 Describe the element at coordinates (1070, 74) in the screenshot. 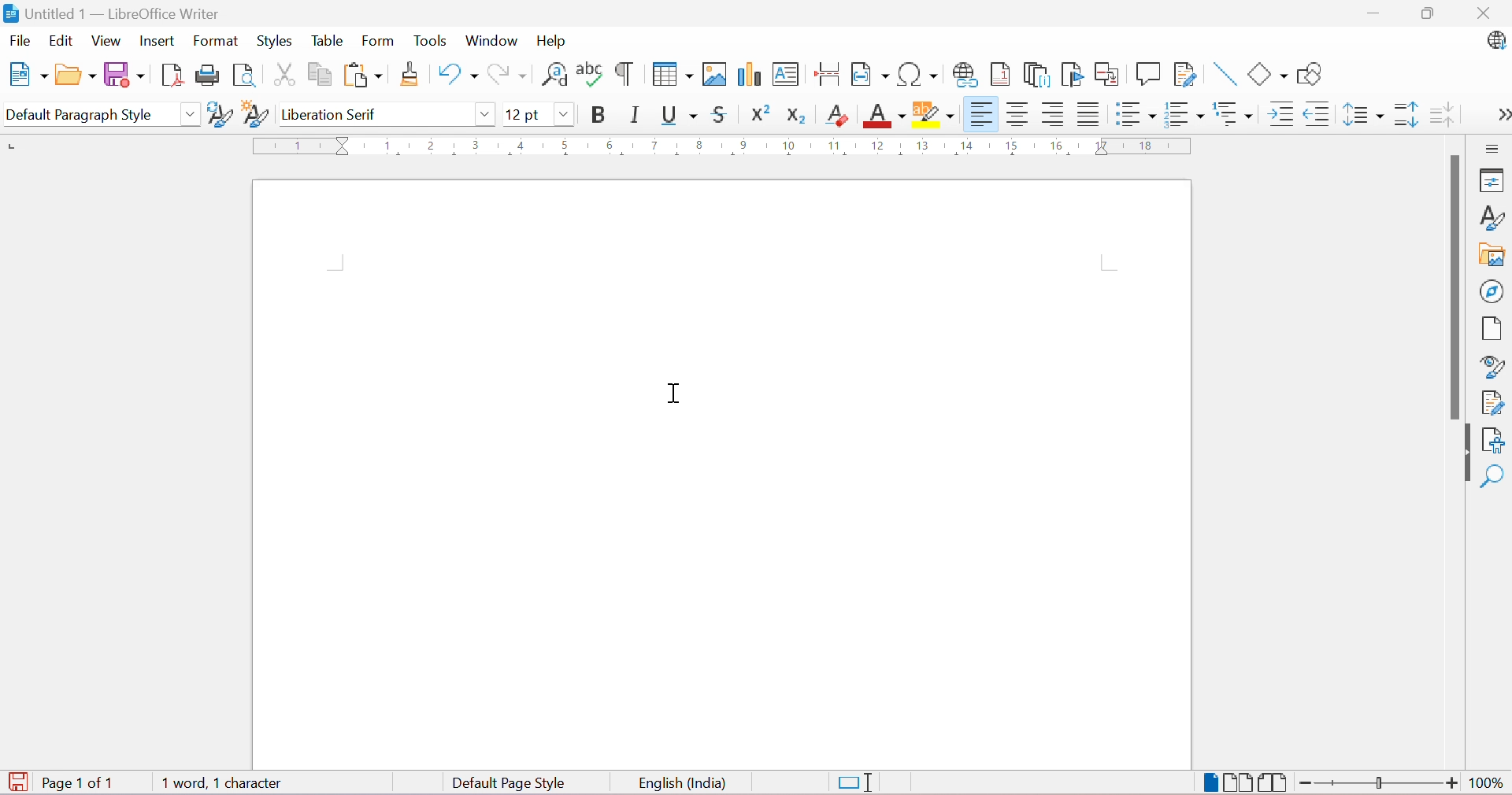

I see `Insert Bookmark` at that location.